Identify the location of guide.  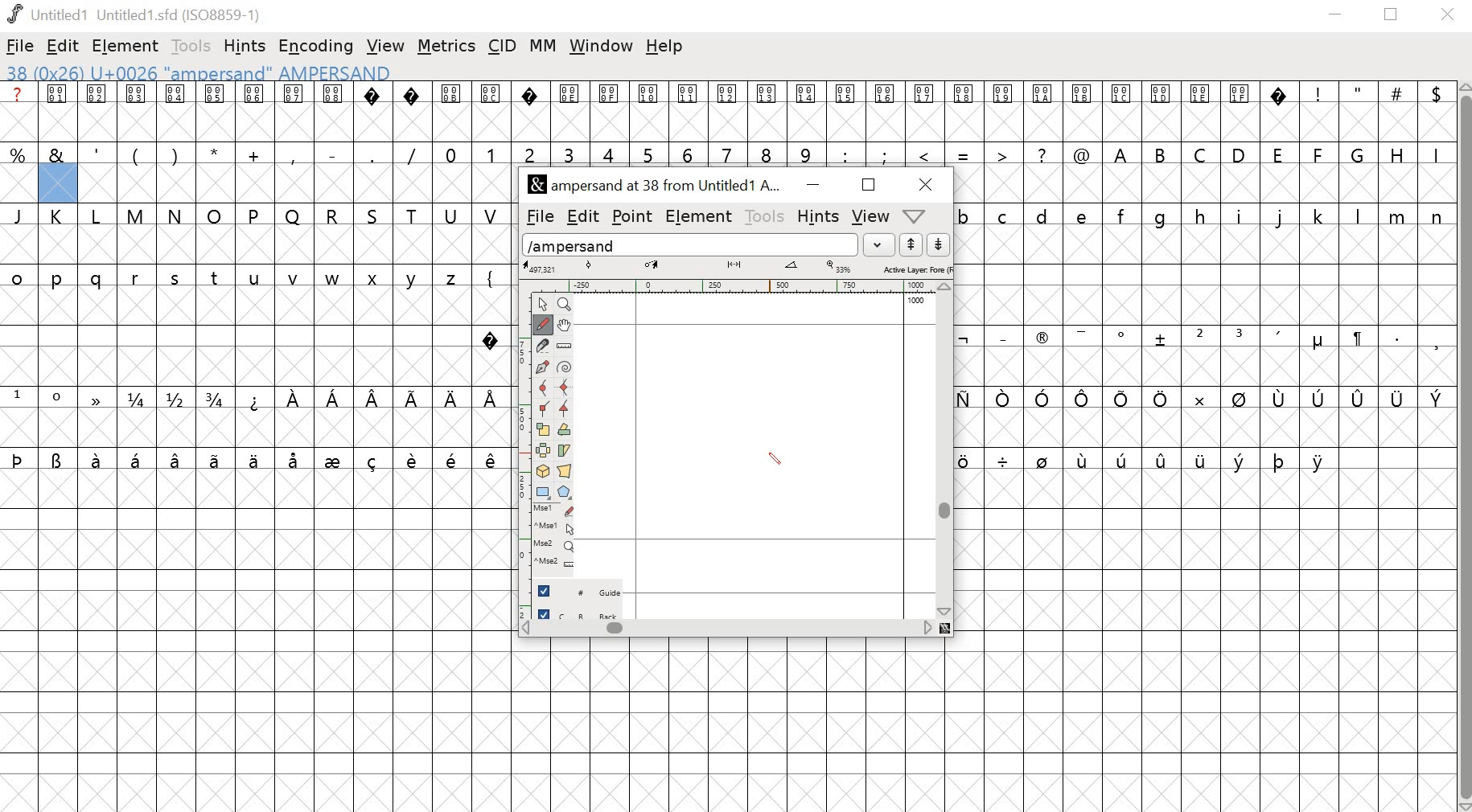
(916, 301).